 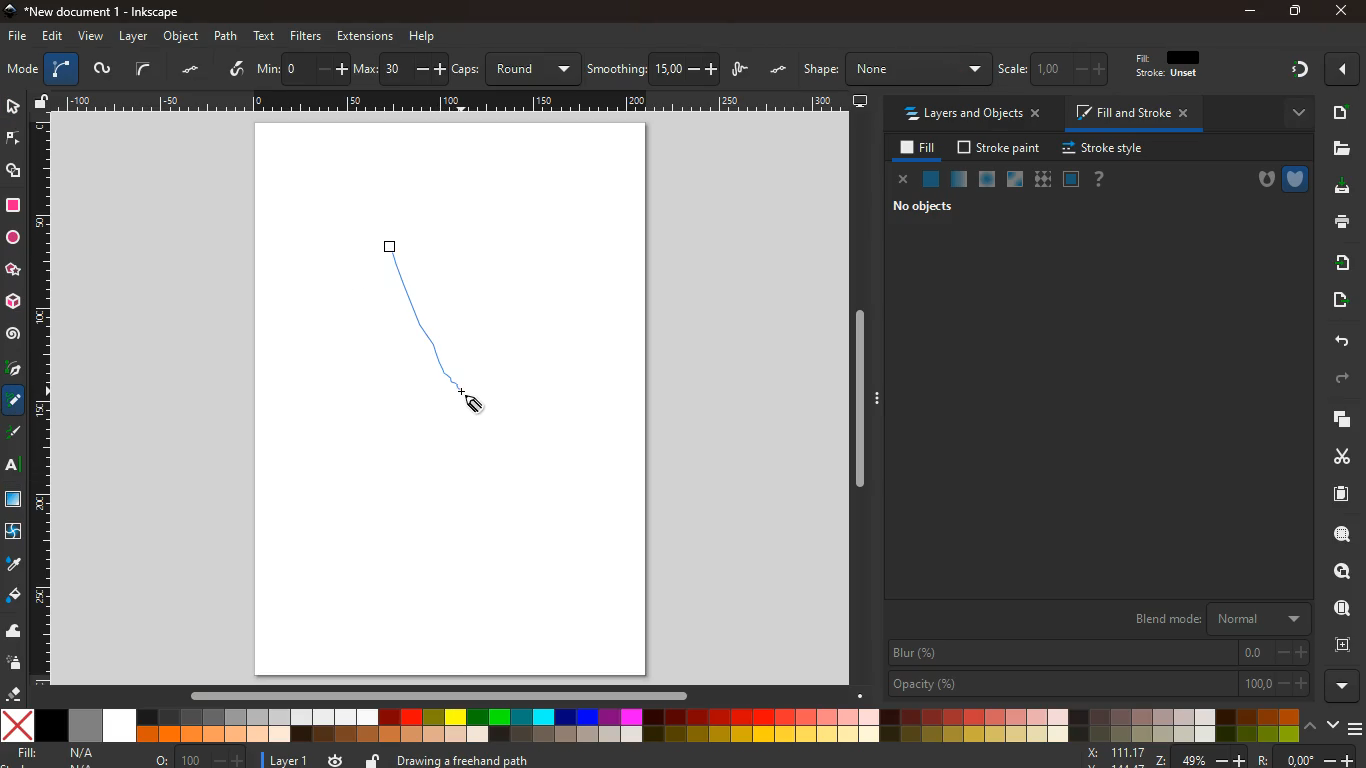 What do you see at coordinates (11, 693) in the screenshot?
I see `erase` at bounding box center [11, 693].